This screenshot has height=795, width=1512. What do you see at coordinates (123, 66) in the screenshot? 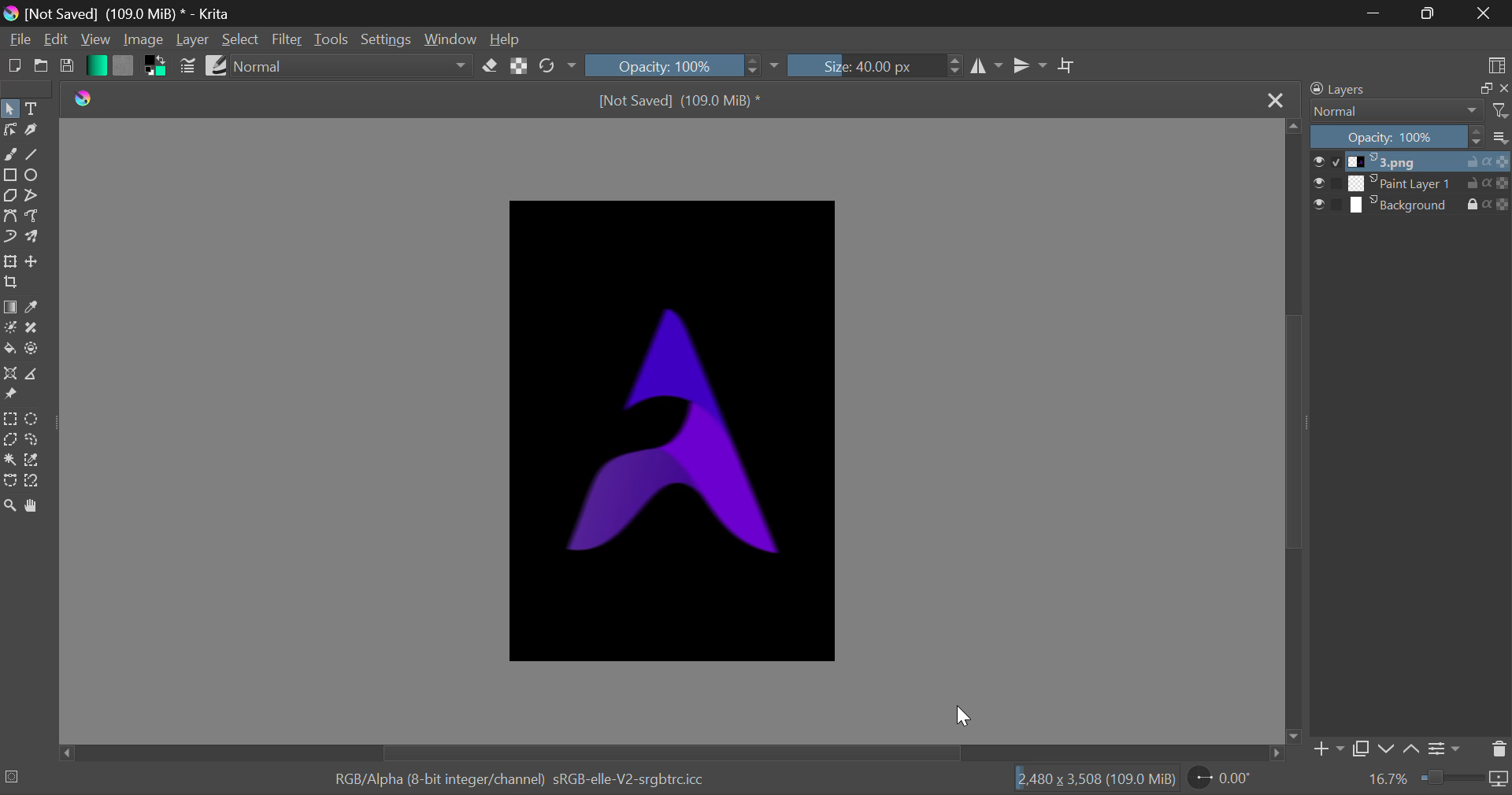
I see `Pattern` at bounding box center [123, 66].